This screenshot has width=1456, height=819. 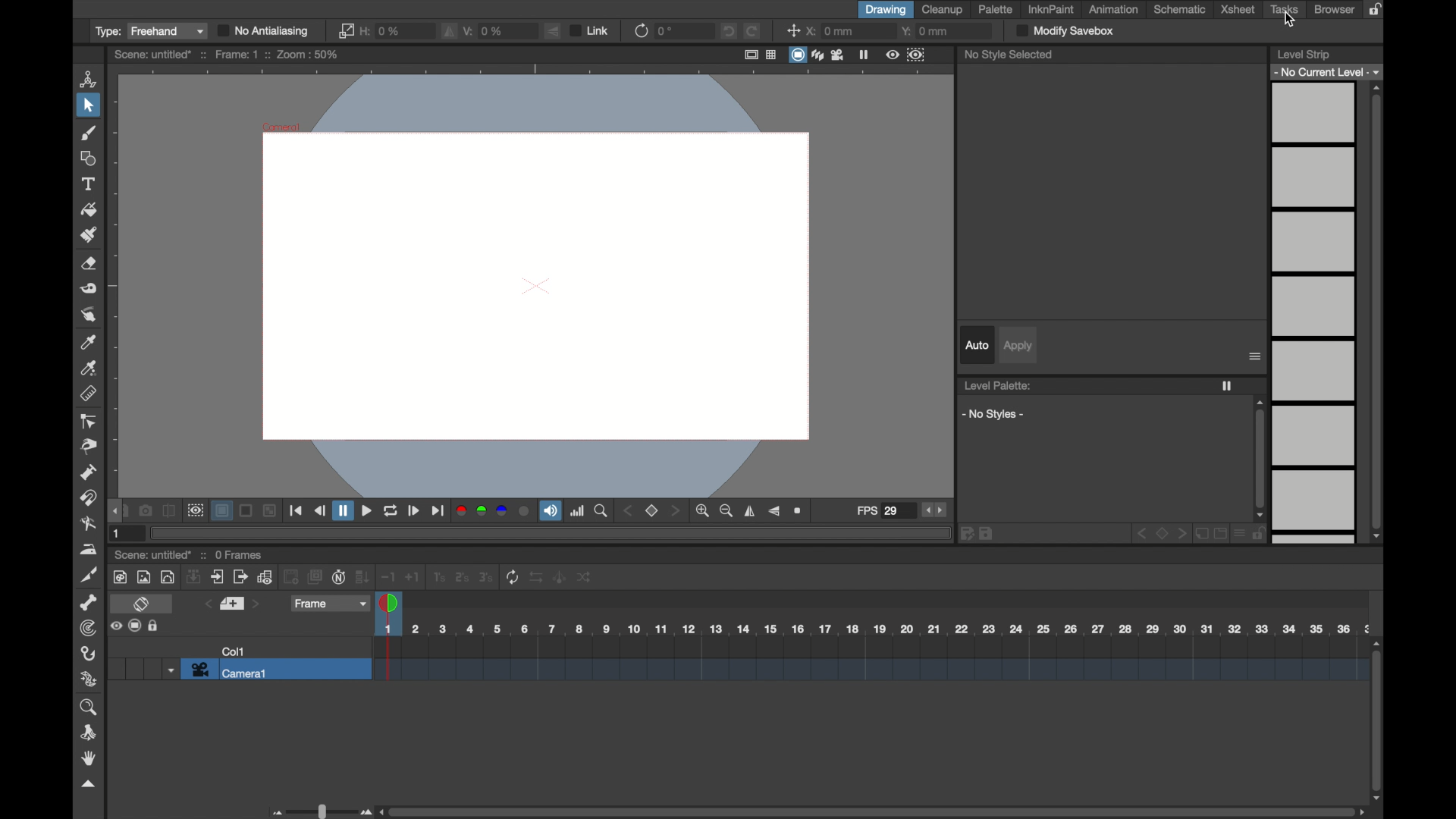 I want to click on more tools, so click(x=351, y=578).